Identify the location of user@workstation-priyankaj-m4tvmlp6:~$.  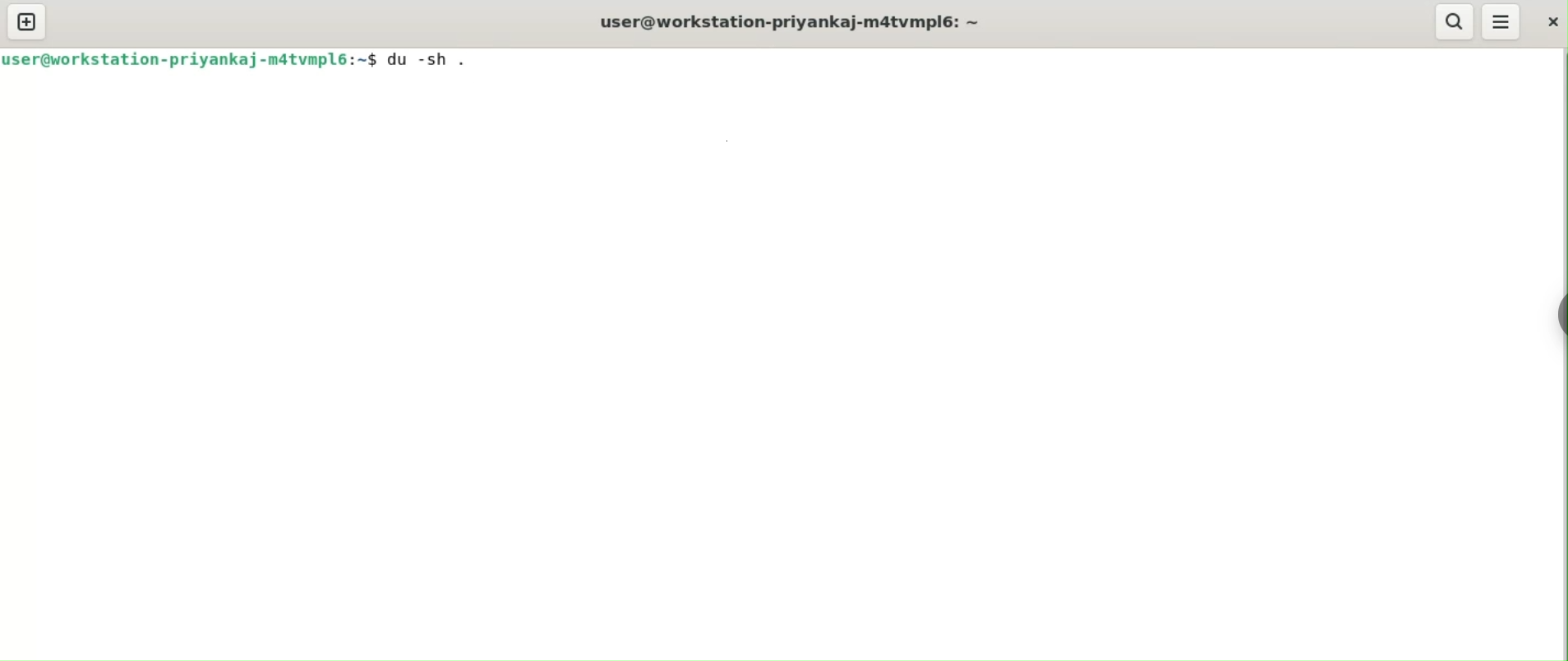
(189, 61).